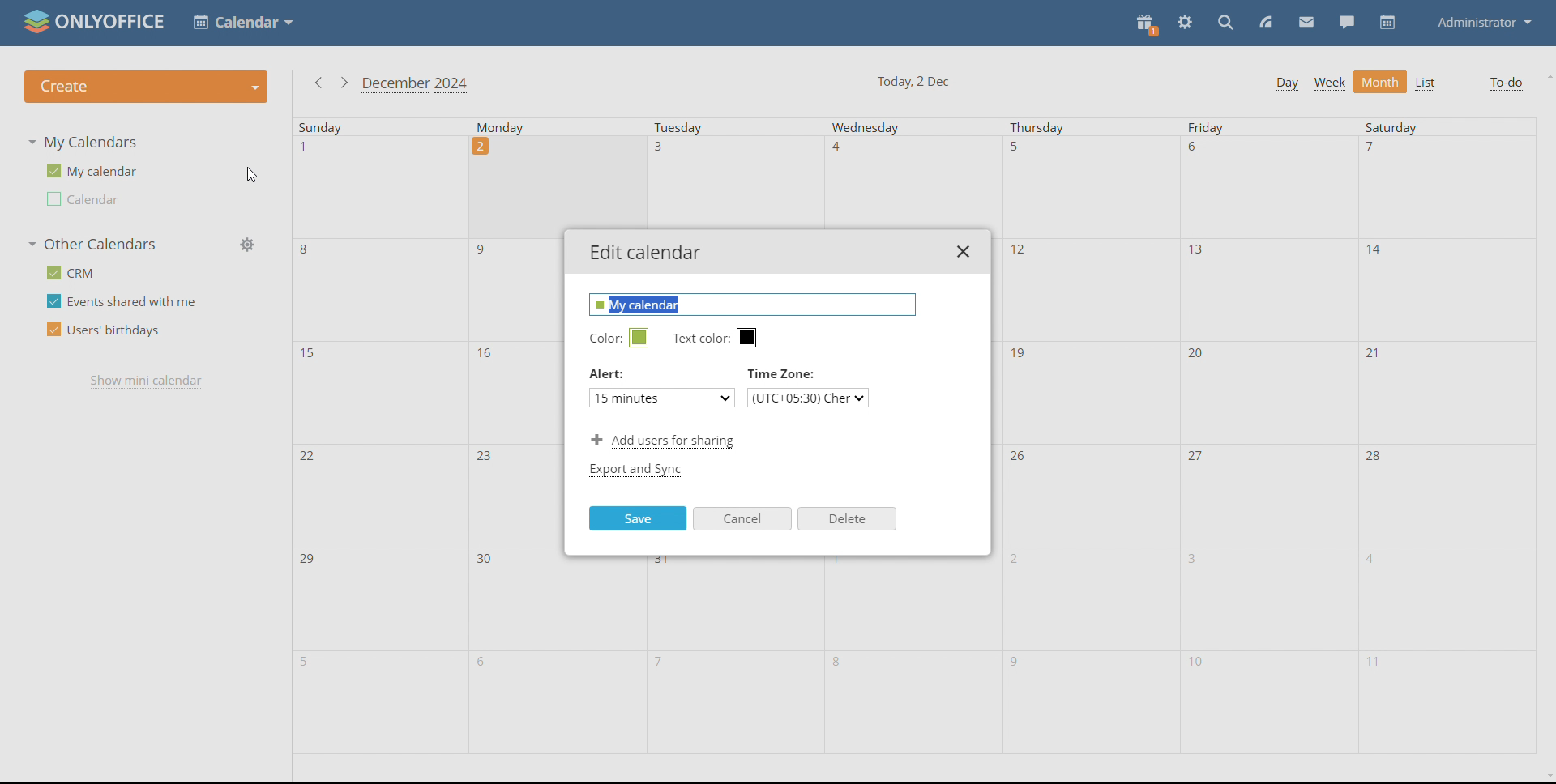 The width and height of the screenshot is (1556, 784). What do you see at coordinates (910, 128) in the screenshot?
I see `Wednesday` at bounding box center [910, 128].